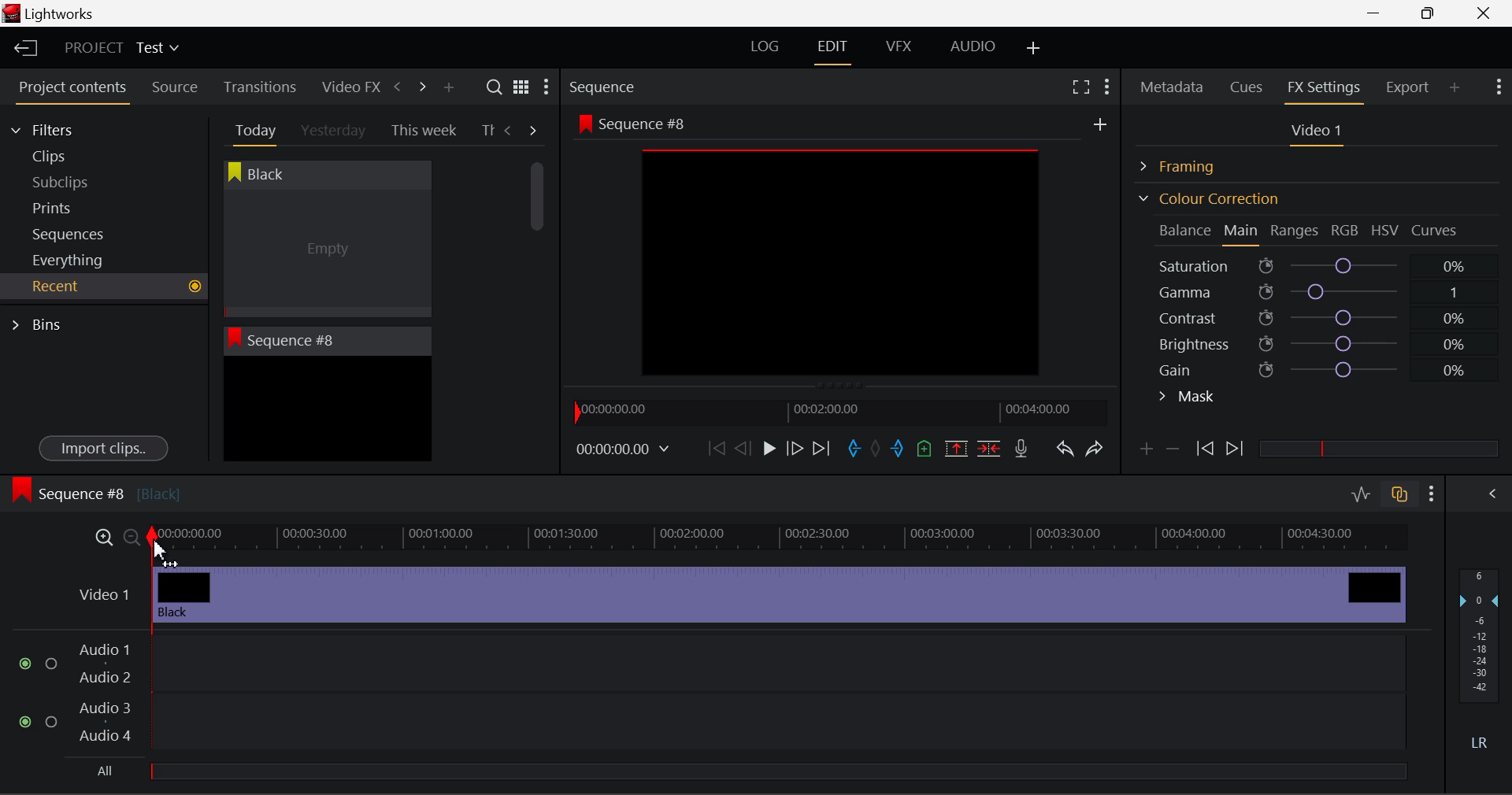 The image size is (1512, 795). I want to click on Redo, so click(1095, 448).